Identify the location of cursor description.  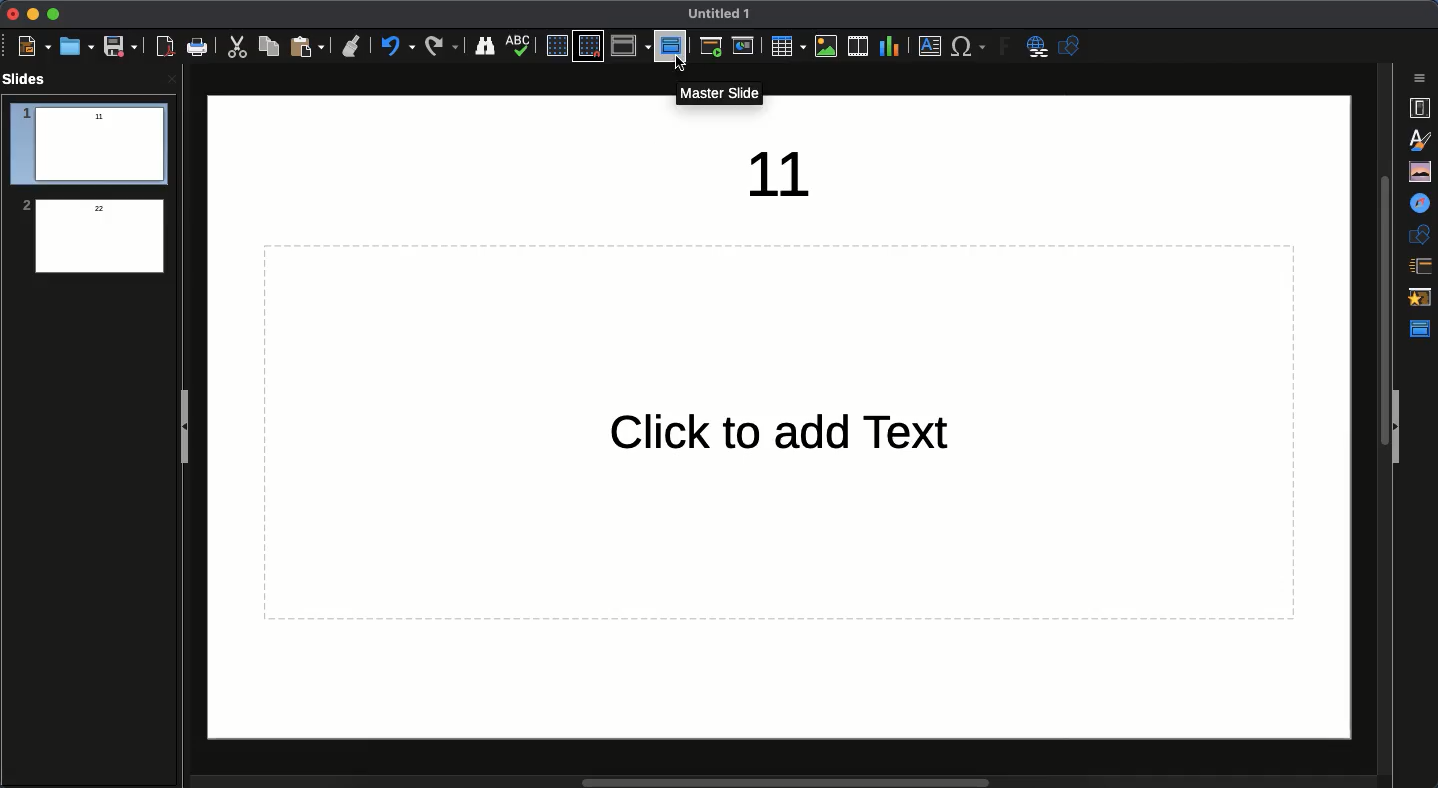
(724, 92).